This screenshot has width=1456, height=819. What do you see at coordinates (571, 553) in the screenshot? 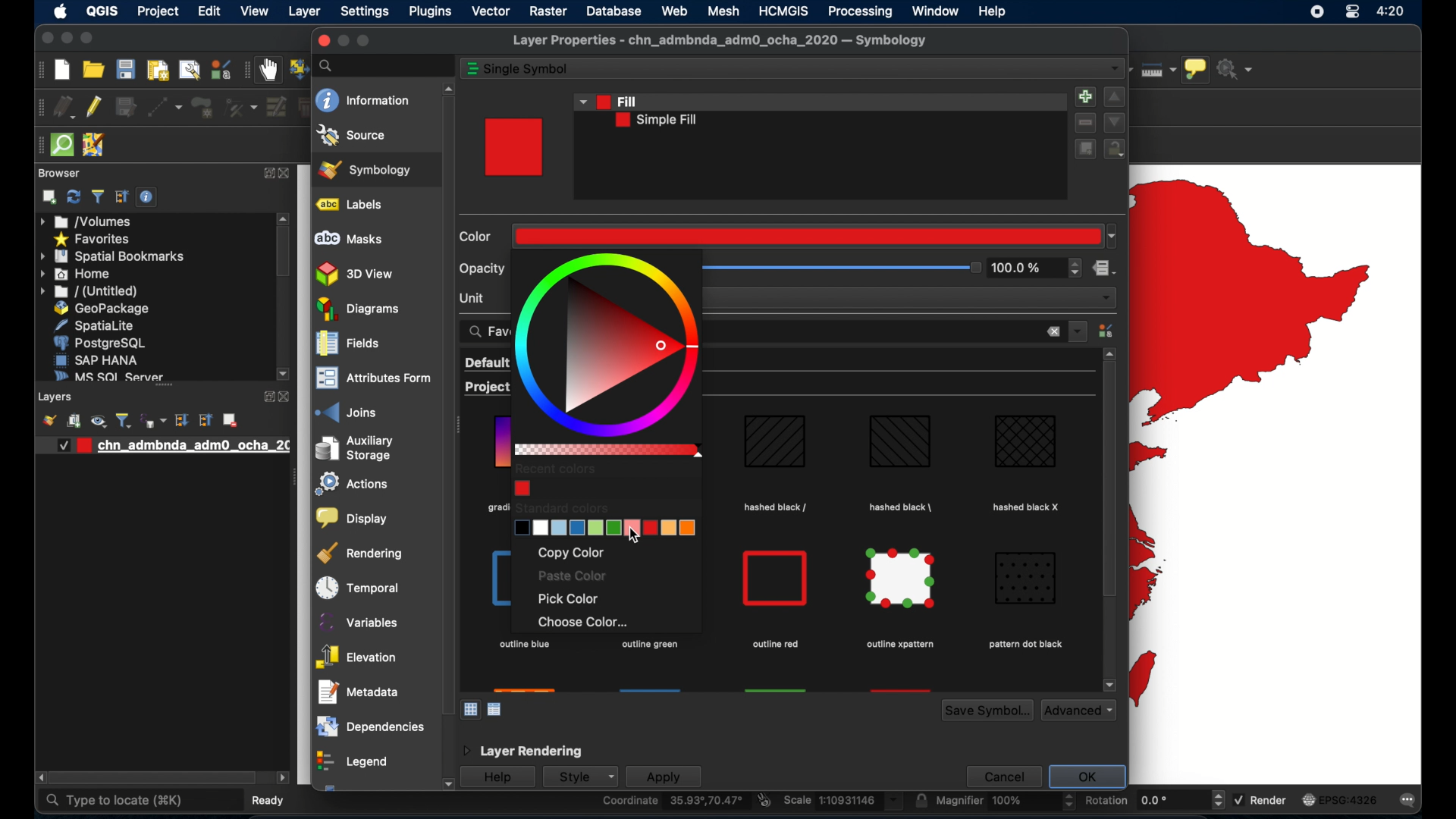
I see `copy color` at bounding box center [571, 553].